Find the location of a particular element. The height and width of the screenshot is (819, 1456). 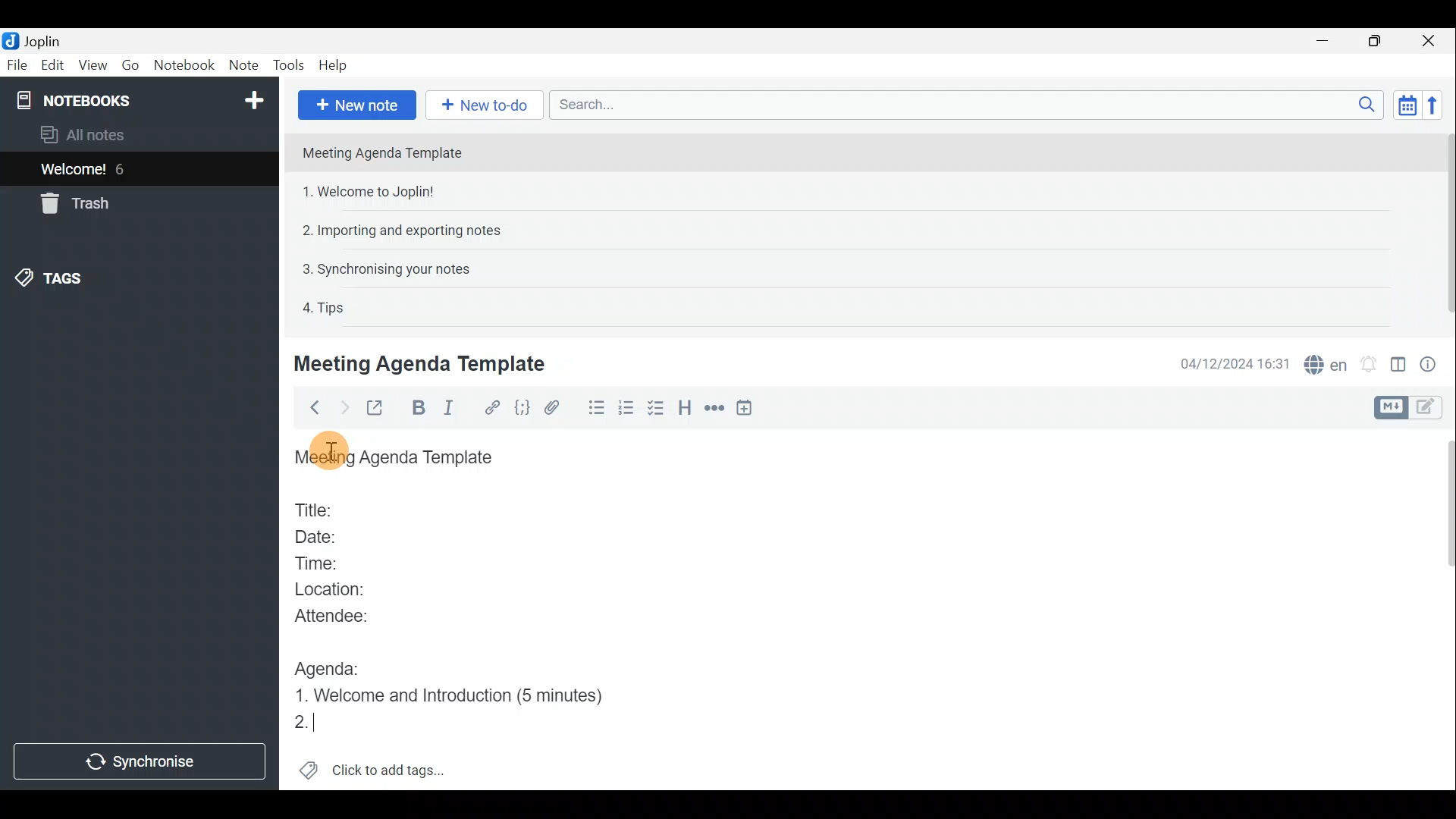

Set alarm is located at coordinates (1370, 364).